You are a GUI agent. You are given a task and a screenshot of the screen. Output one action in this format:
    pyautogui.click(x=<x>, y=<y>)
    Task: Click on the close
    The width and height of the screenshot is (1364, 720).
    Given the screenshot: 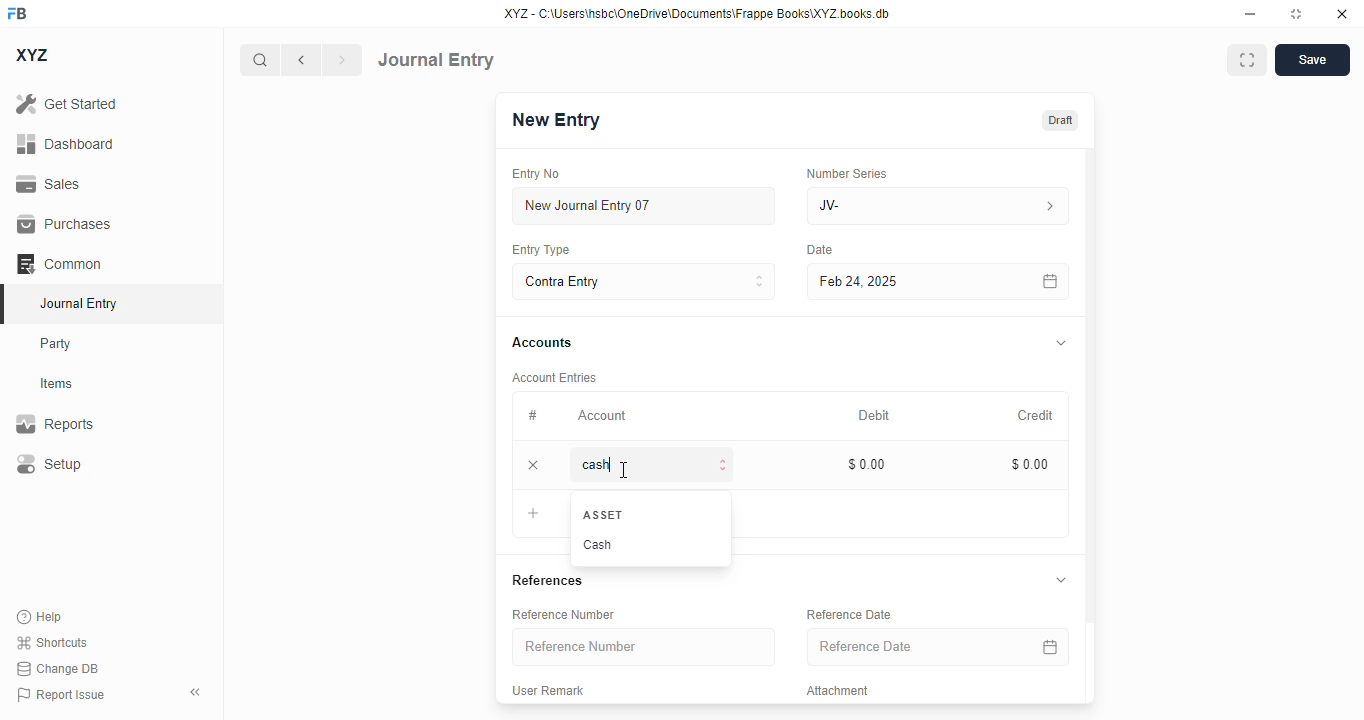 What is the action you would take?
    pyautogui.click(x=1342, y=14)
    